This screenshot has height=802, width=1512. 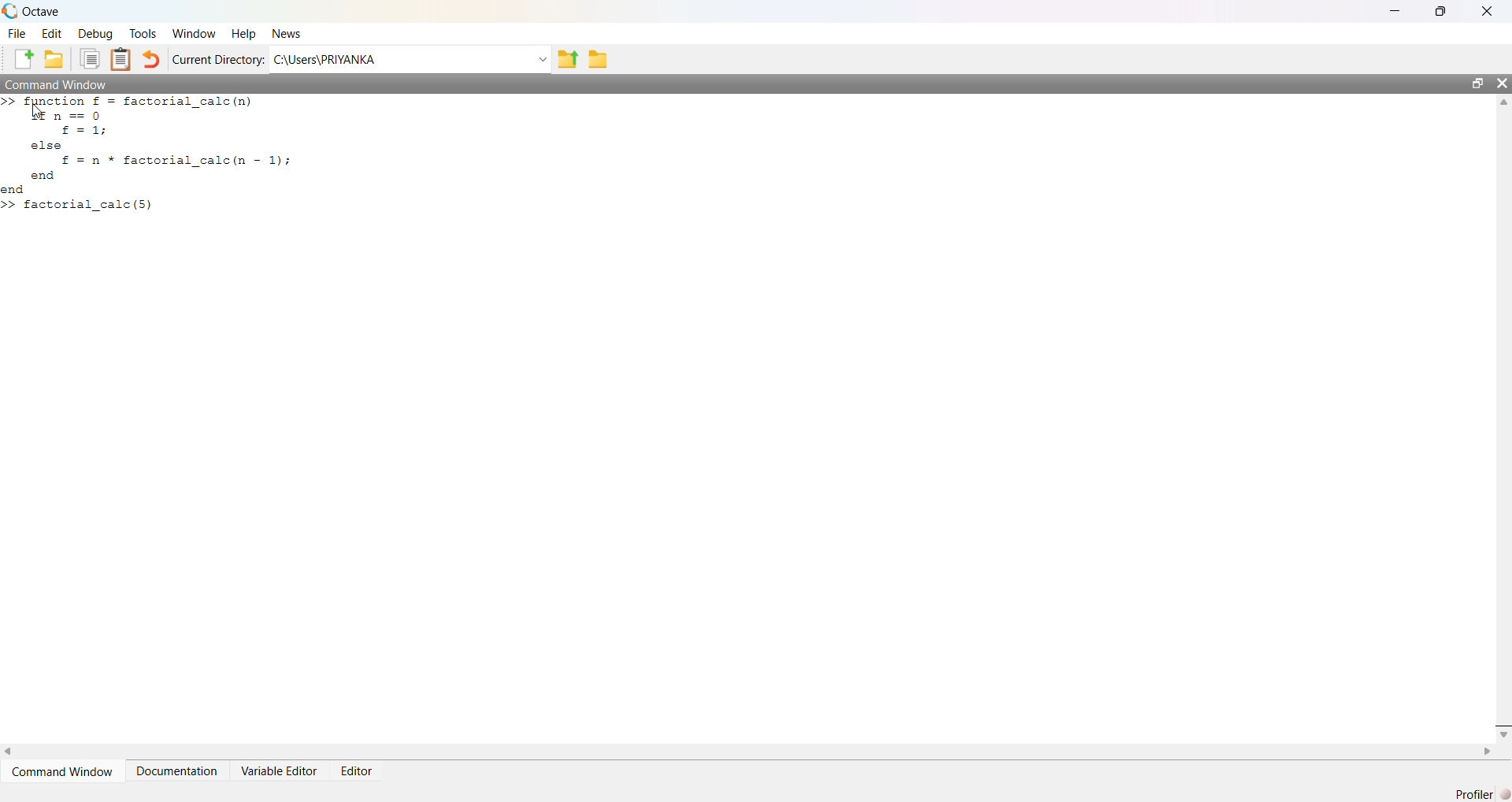 What do you see at coordinates (151, 60) in the screenshot?
I see `undo` at bounding box center [151, 60].